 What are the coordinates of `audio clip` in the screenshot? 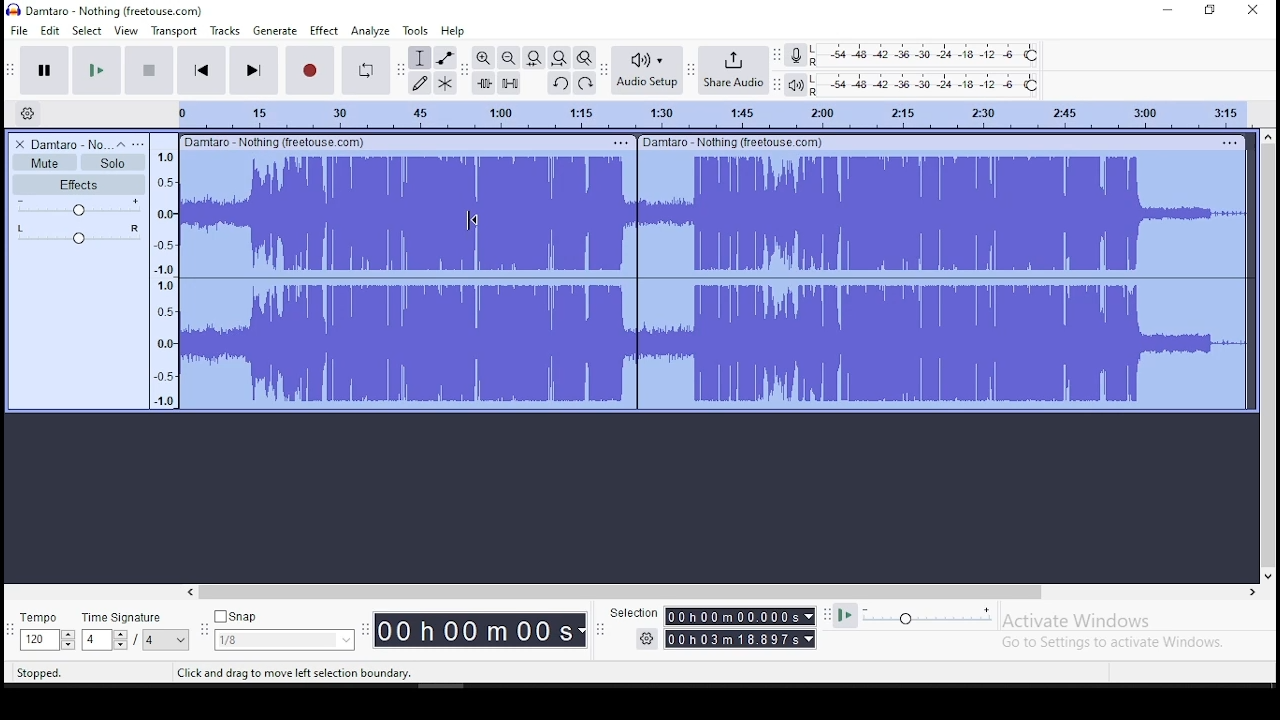 It's located at (943, 281).